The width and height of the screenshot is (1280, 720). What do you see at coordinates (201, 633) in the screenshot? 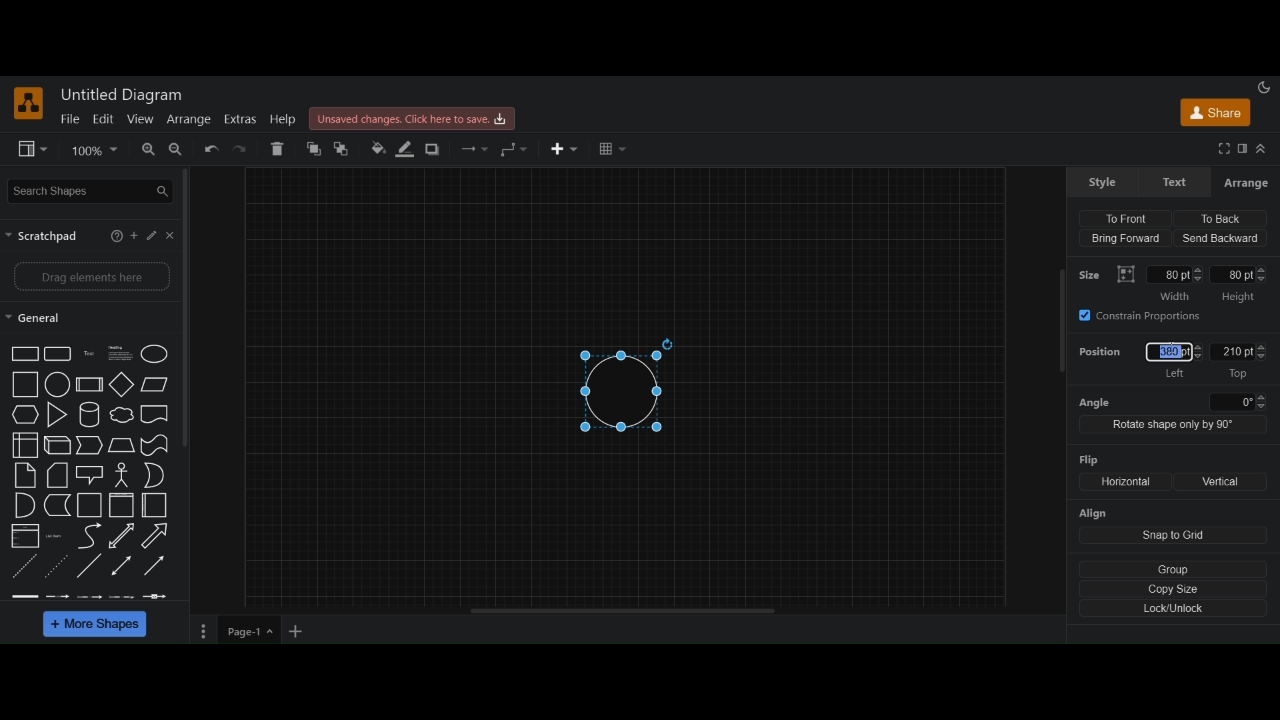
I see `pages` at bounding box center [201, 633].